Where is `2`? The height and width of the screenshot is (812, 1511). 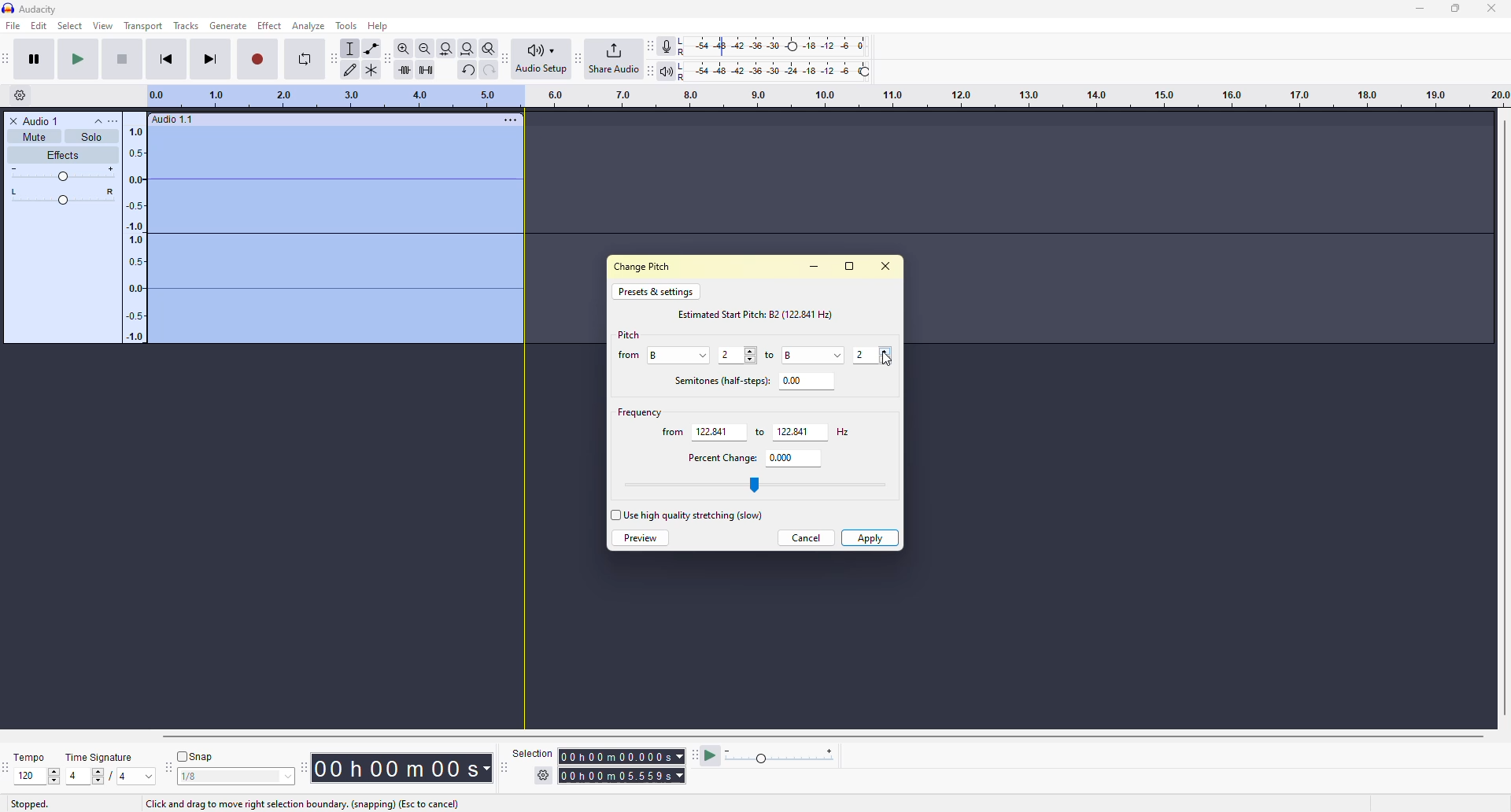
2 is located at coordinates (729, 355).